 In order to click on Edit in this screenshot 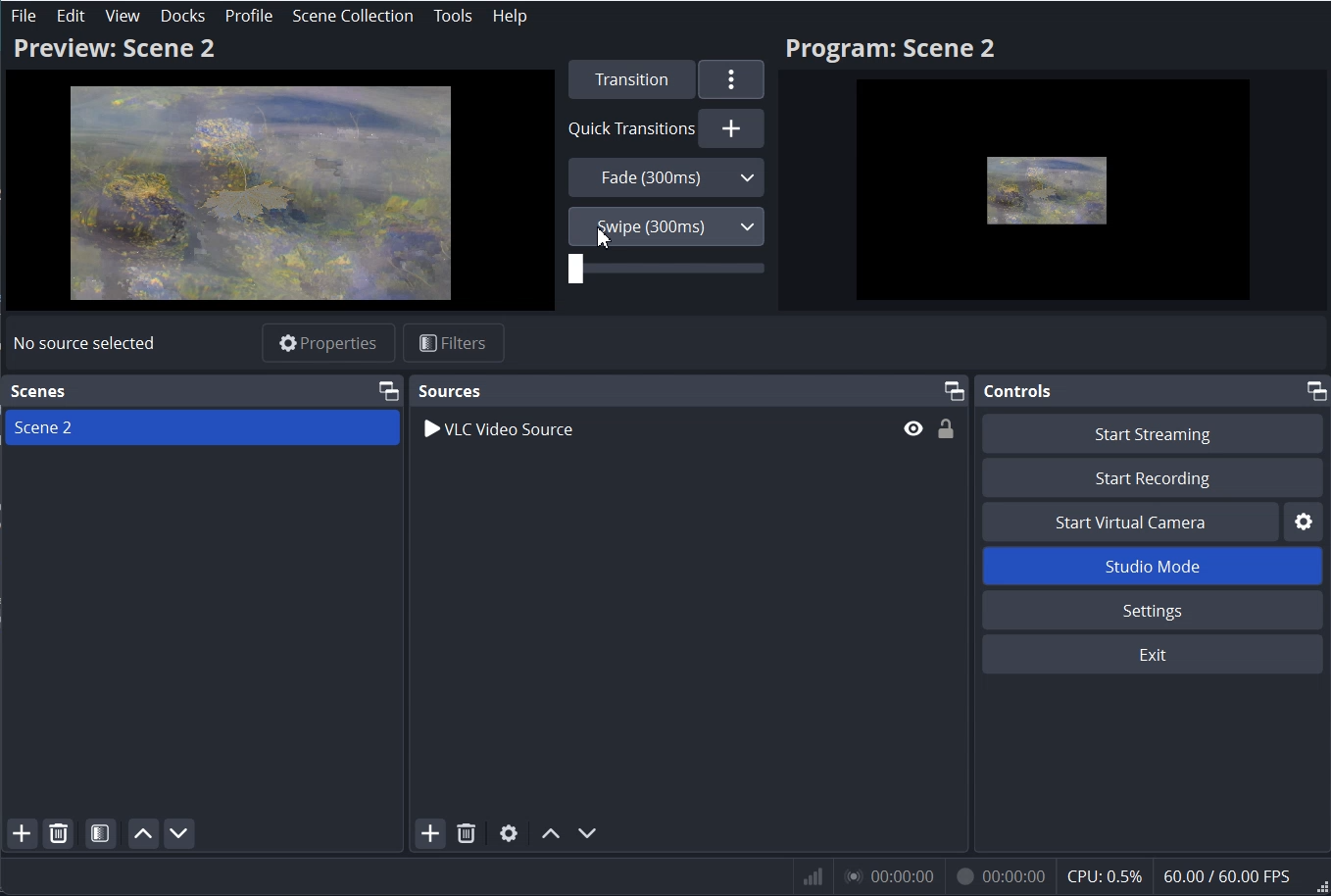, I will do `click(72, 16)`.